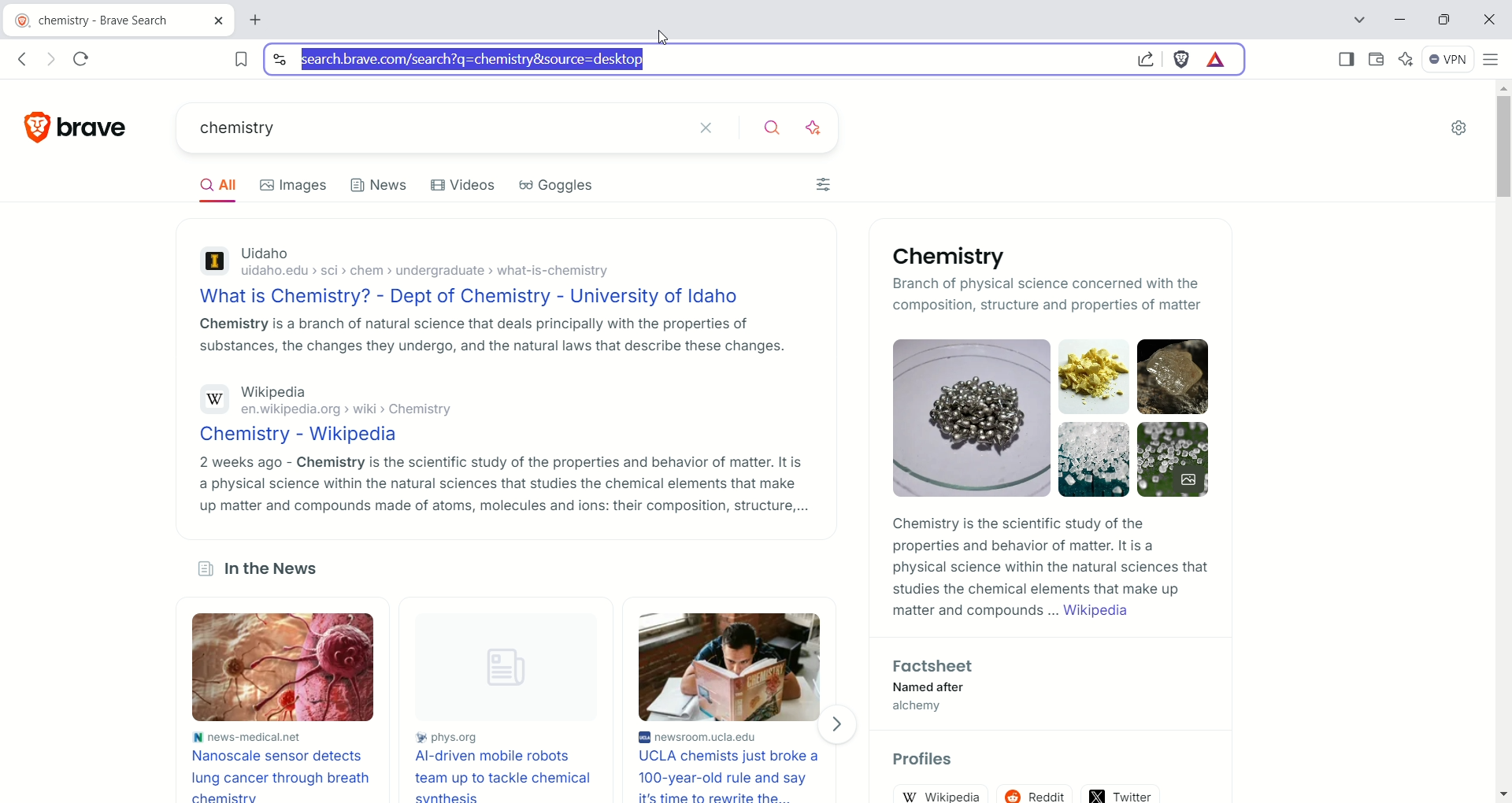 This screenshot has height=803, width=1512. What do you see at coordinates (716, 129) in the screenshot?
I see `close` at bounding box center [716, 129].